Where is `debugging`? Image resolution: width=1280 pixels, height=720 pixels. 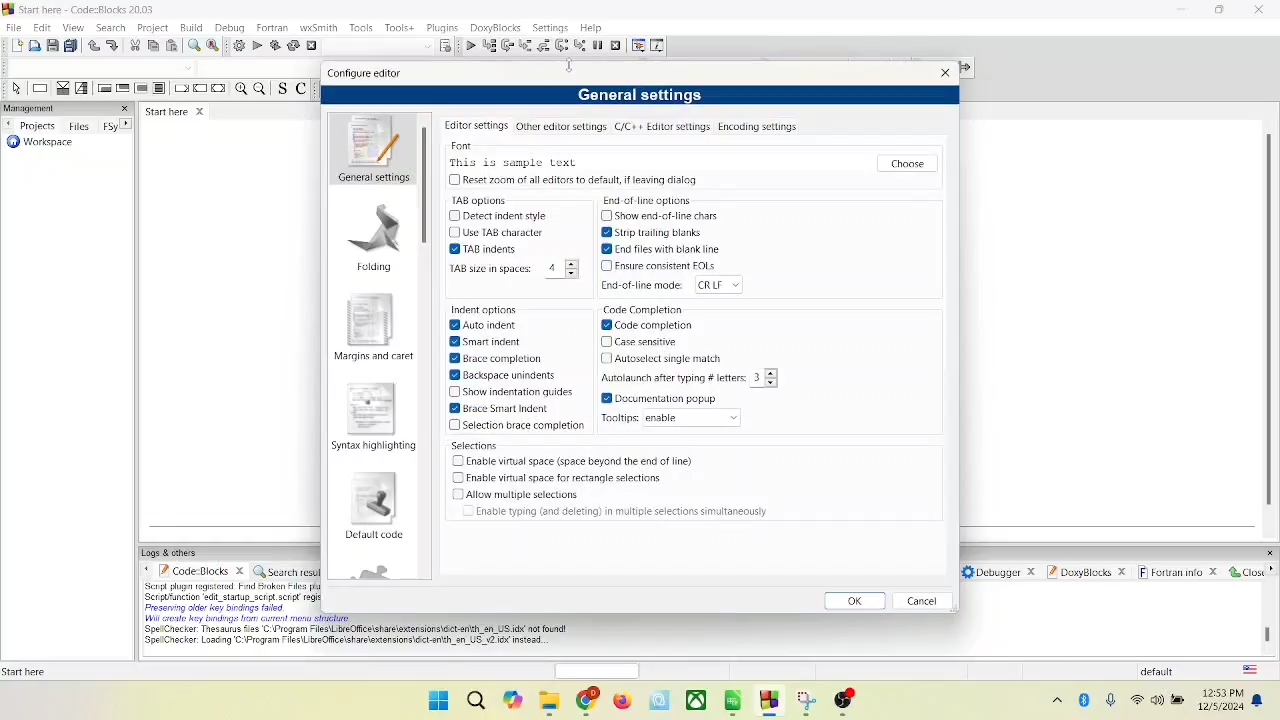
debugging is located at coordinates (637, 44).